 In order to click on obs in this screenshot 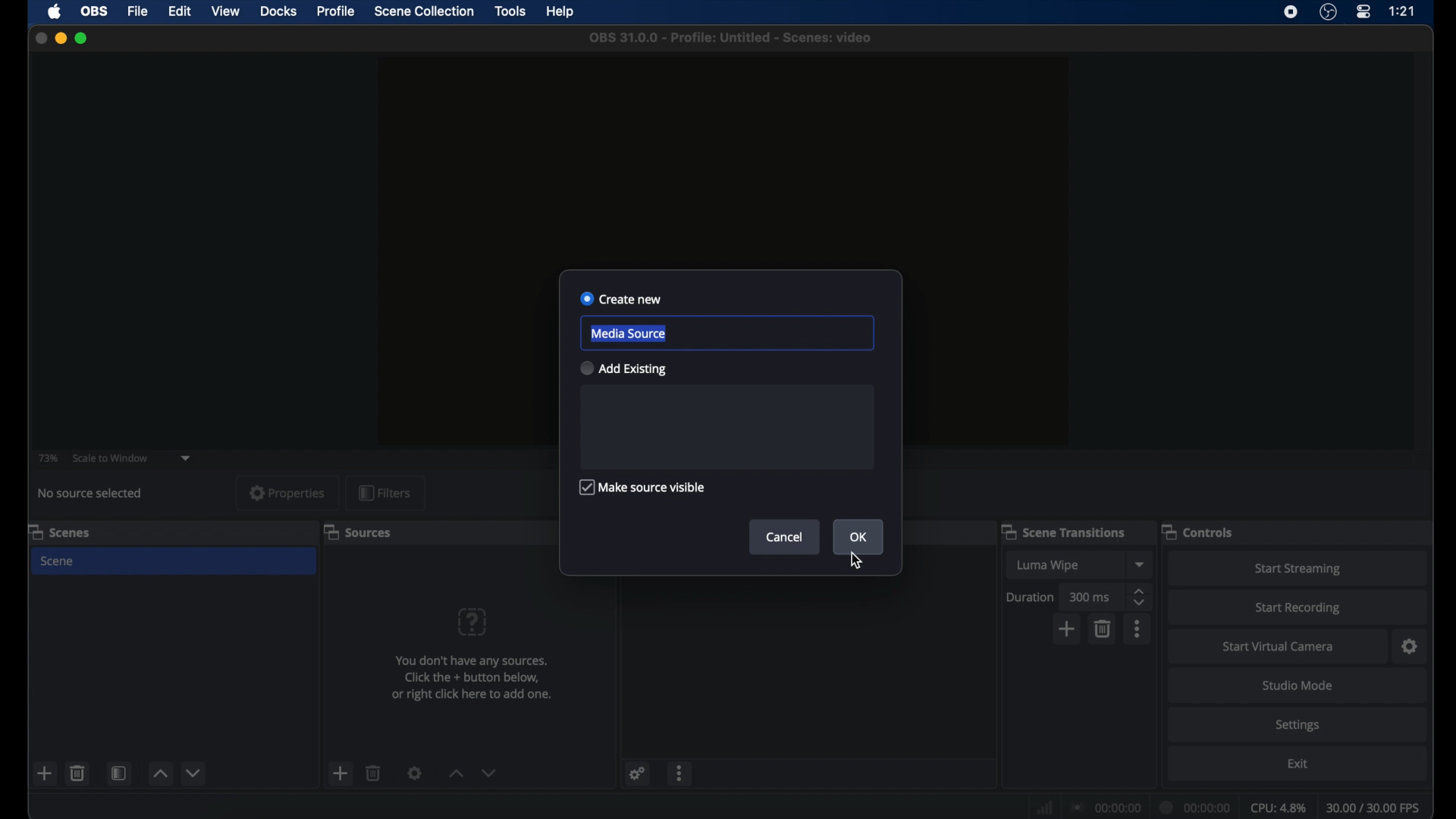, I will do `click(95, 11)`.